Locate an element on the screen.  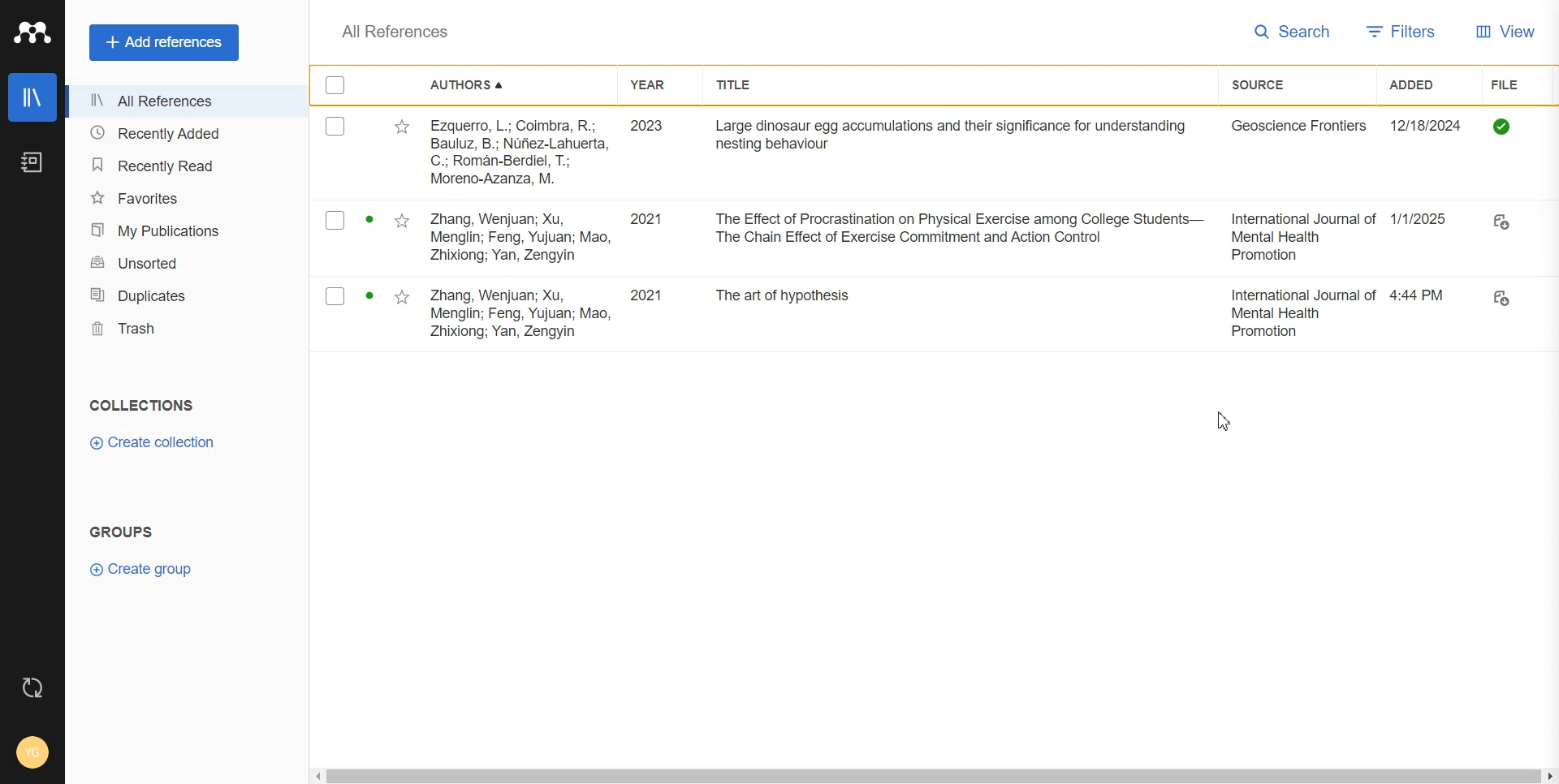
1/1/2025 is located at coordinates (1424, 219).